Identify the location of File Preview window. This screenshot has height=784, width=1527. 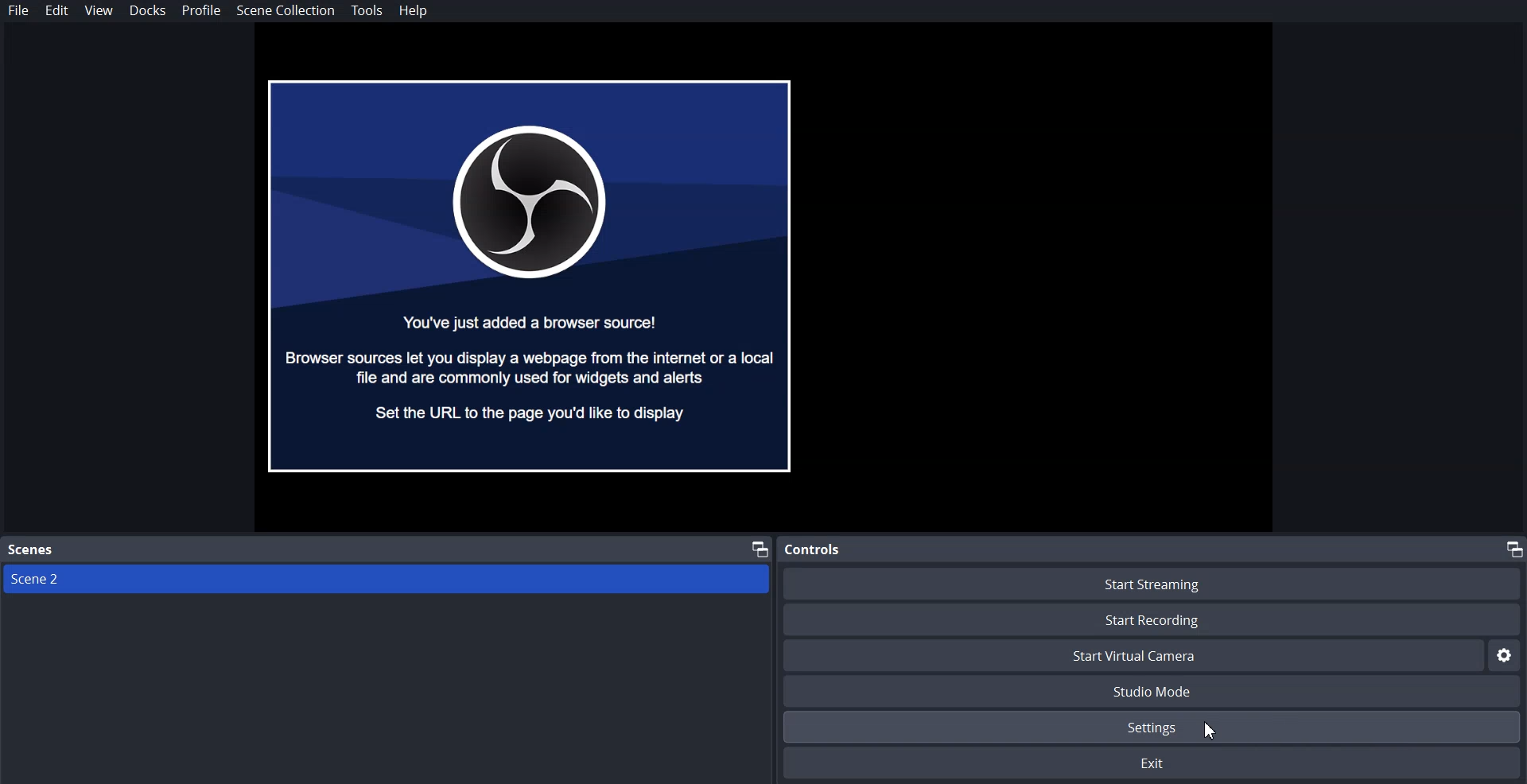
(531, 275).